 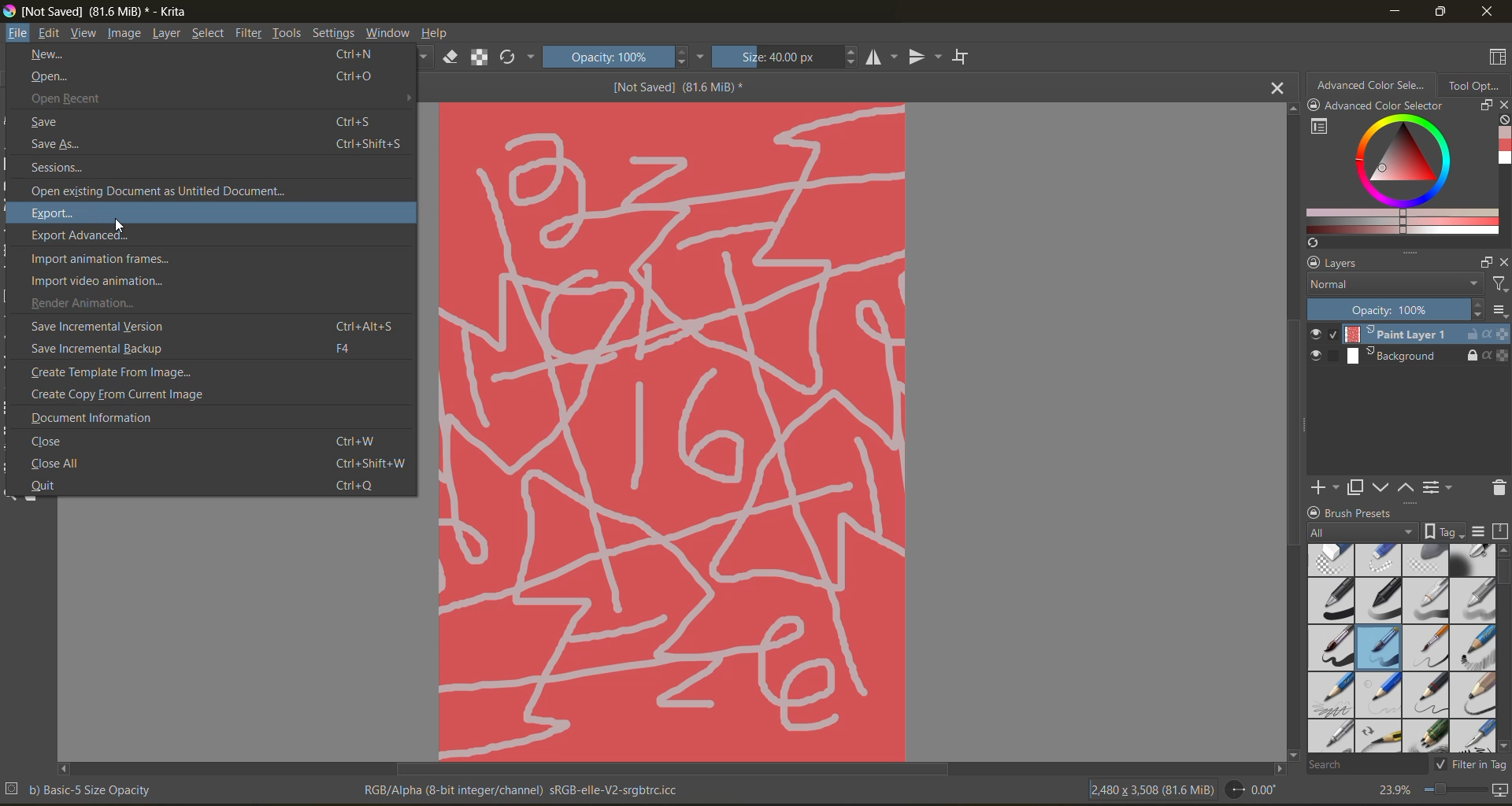 I want to click on layer, so click(x=1409, y=335).